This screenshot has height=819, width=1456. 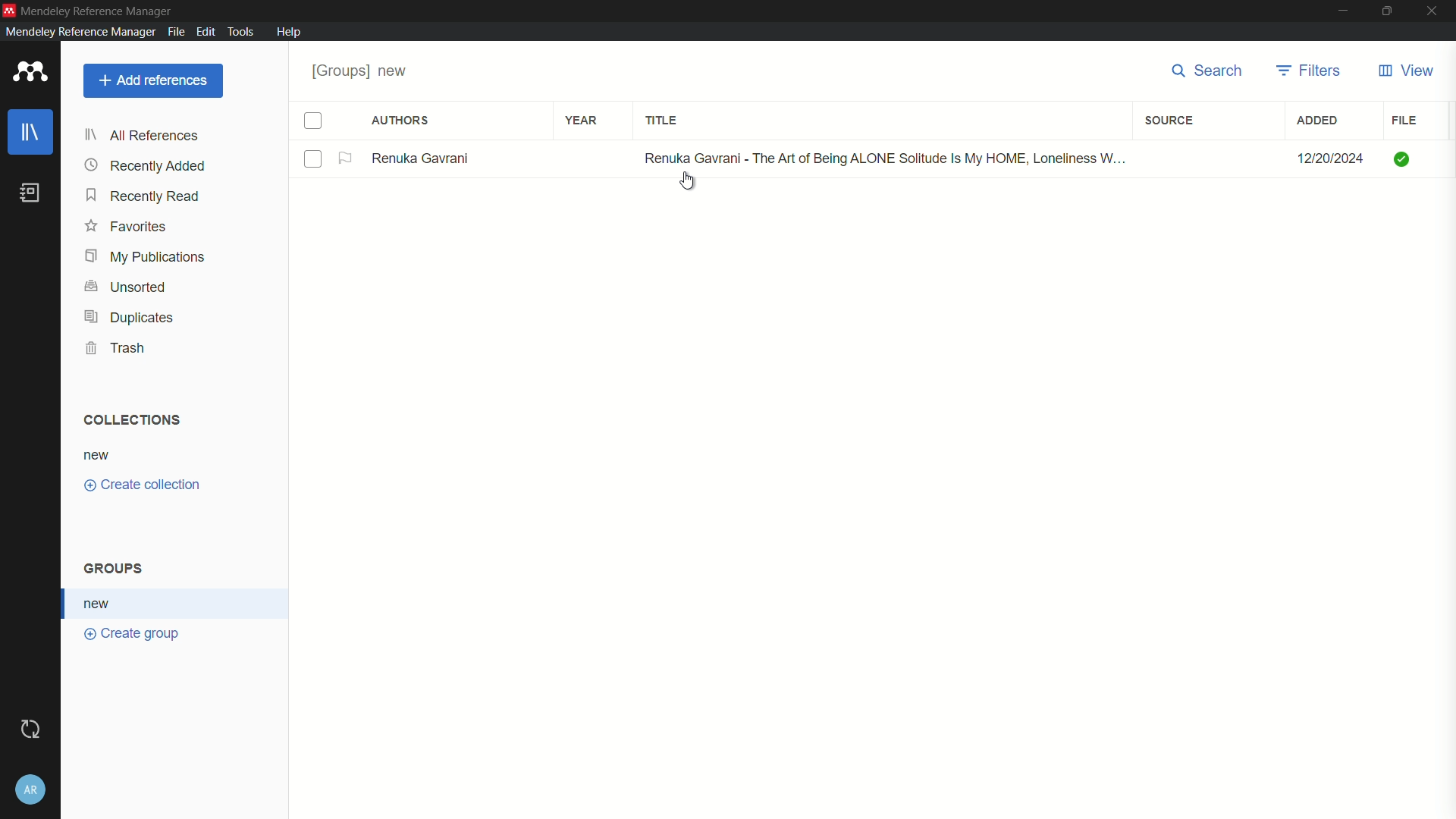 What do you see at coordinates (1389, 11) in the screenshot?
I see `maximize` at bounding box center [1389, 11].